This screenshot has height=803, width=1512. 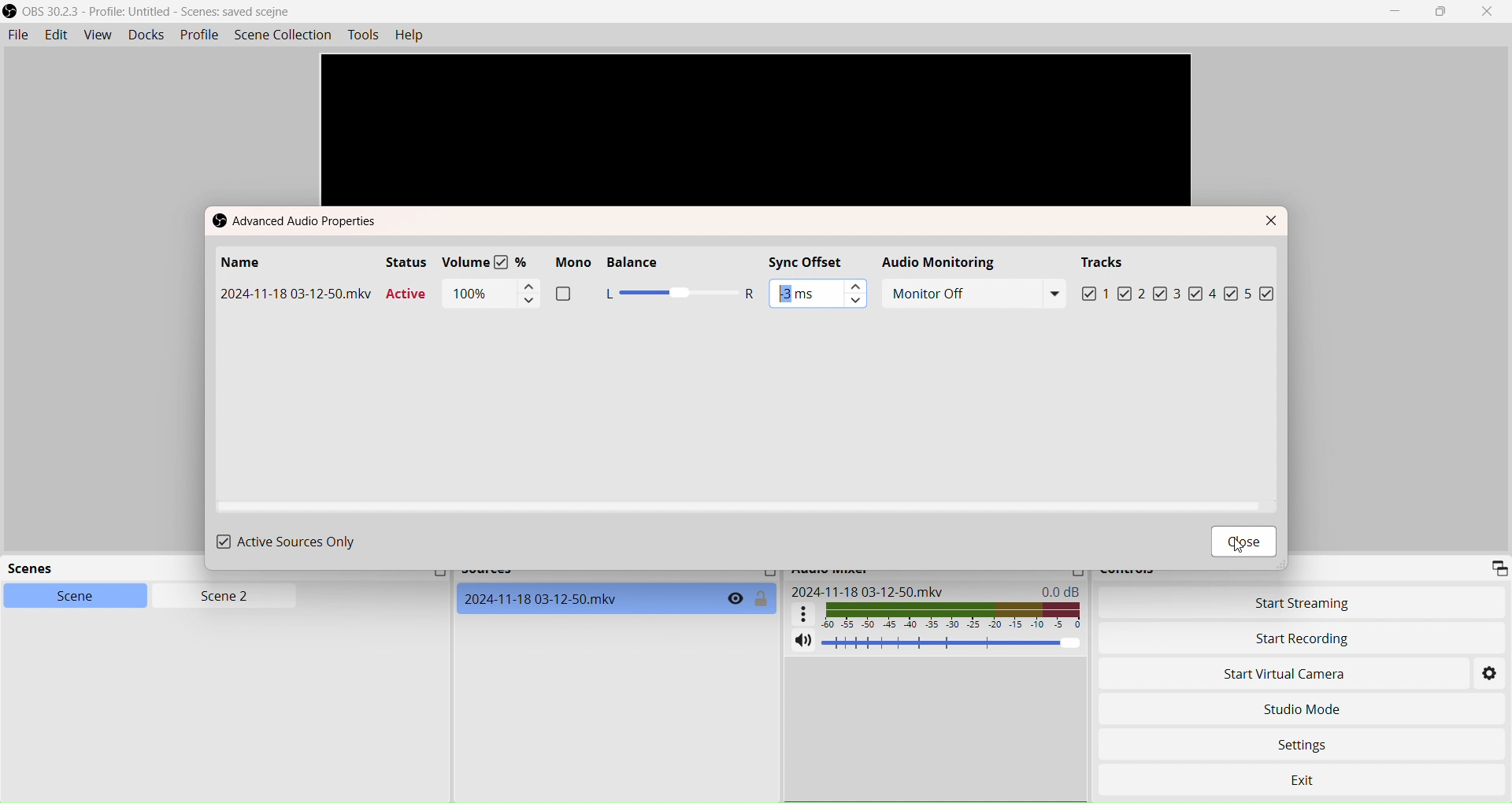 What do you see at coordinates (680, 294) in the screenshot?
I see `Slider` at bounding box center [680, 294].